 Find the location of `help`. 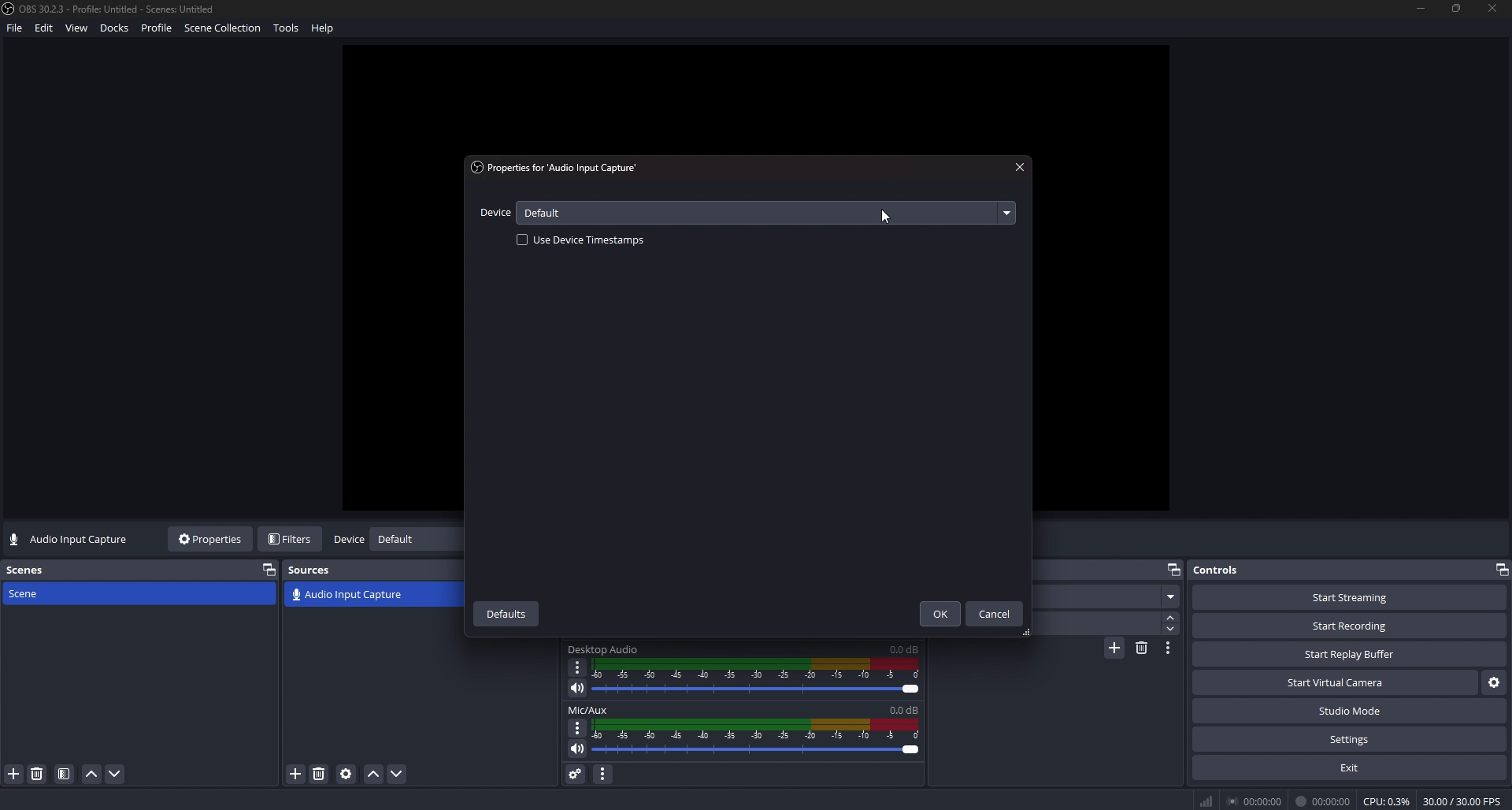

help is located at coordinates (326, 30).